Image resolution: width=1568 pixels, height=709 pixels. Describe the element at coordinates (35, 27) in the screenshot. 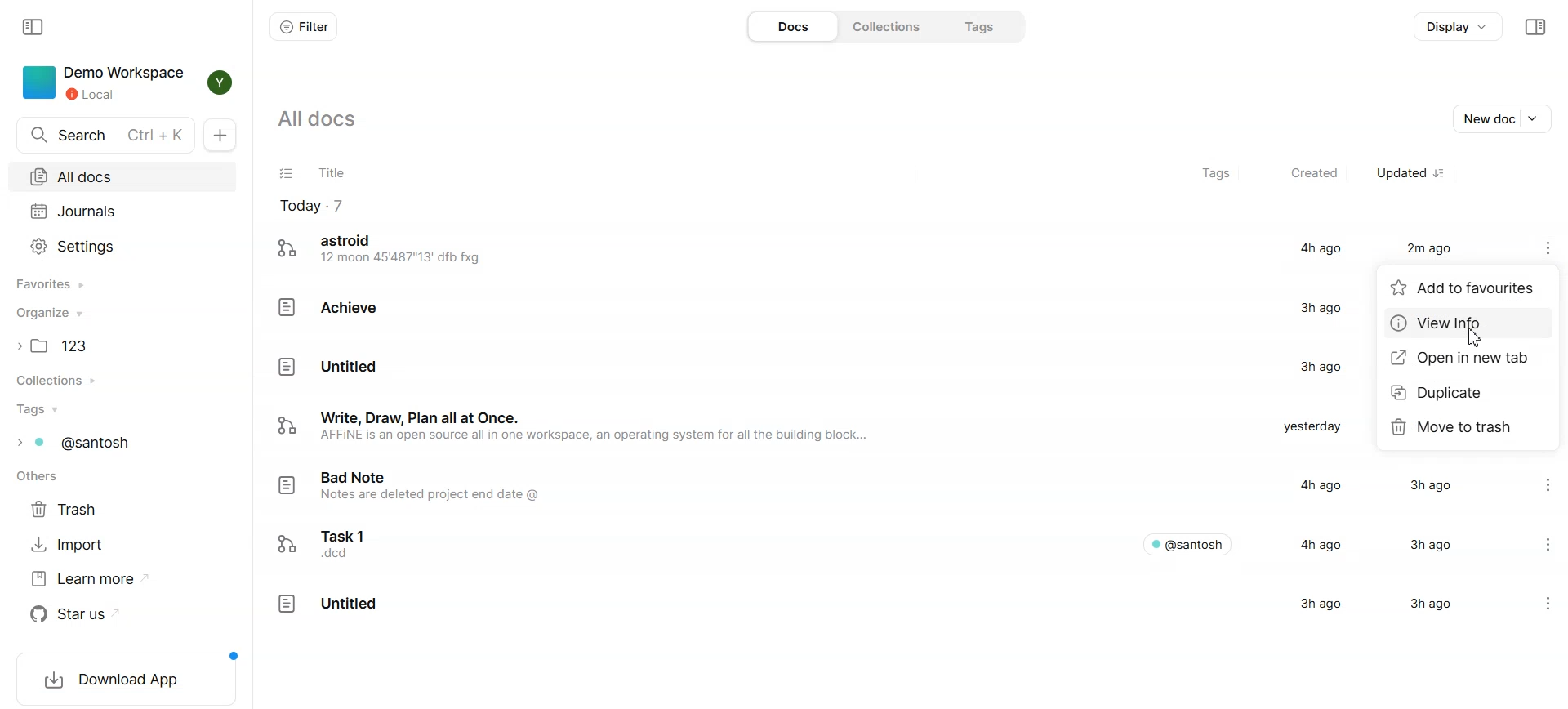

I see `Collapse sidebar` at that location.